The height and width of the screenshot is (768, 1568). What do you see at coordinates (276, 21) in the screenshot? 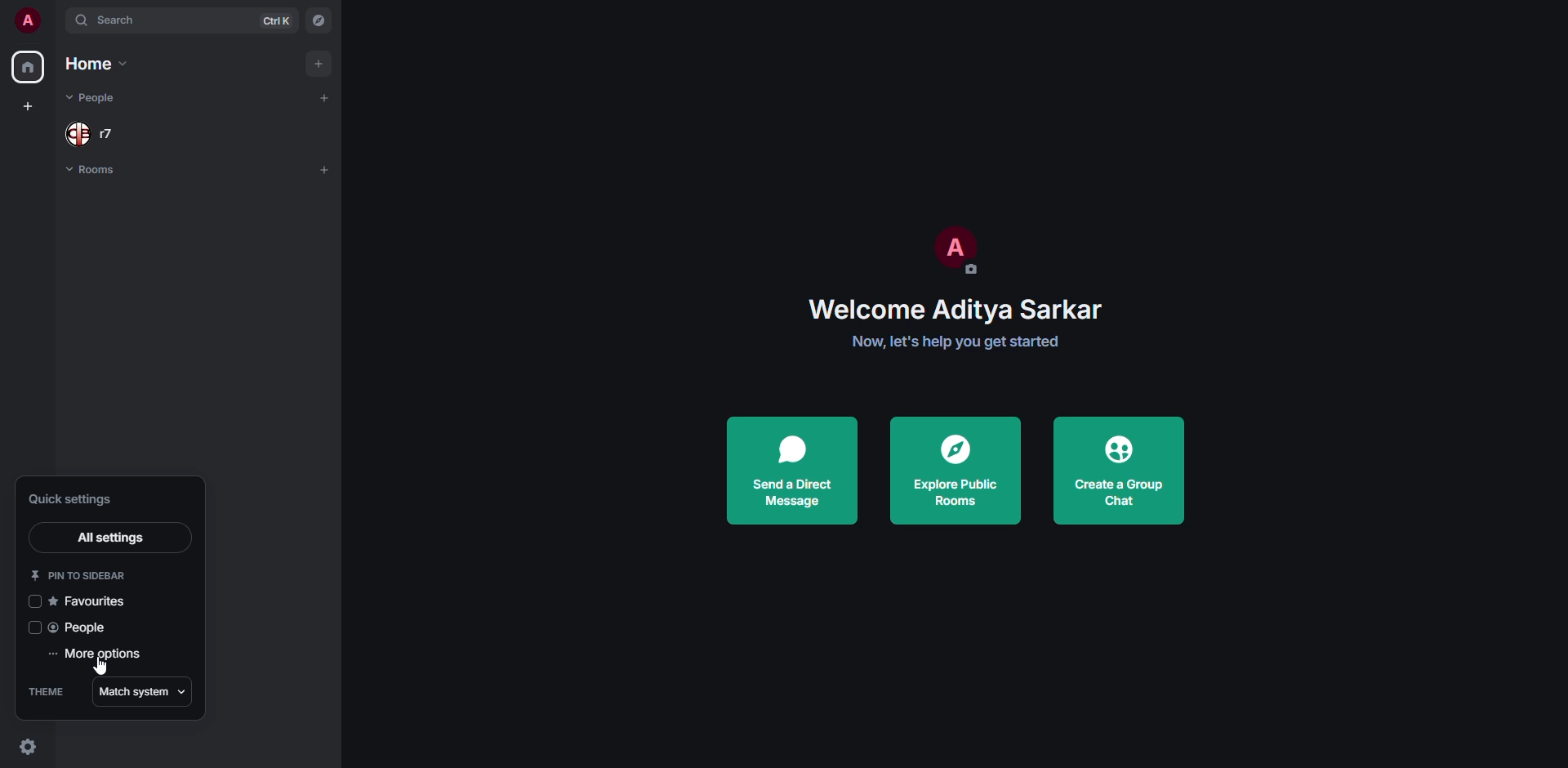
I see `ctrl K` at bounding box center [276, 21].